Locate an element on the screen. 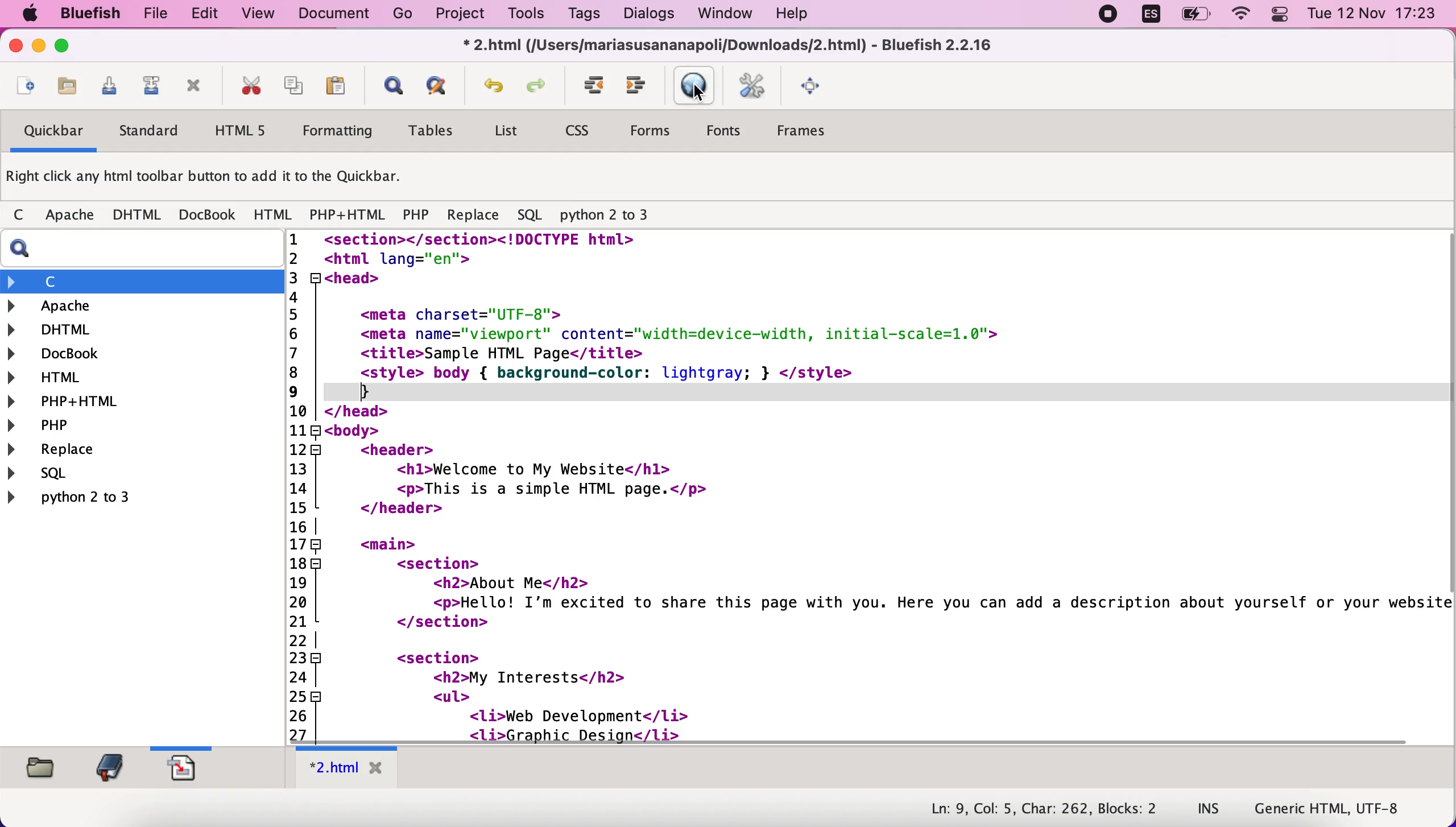 This screenshot has width=1456, height=827. save file as is located at coordinates (154, 86).